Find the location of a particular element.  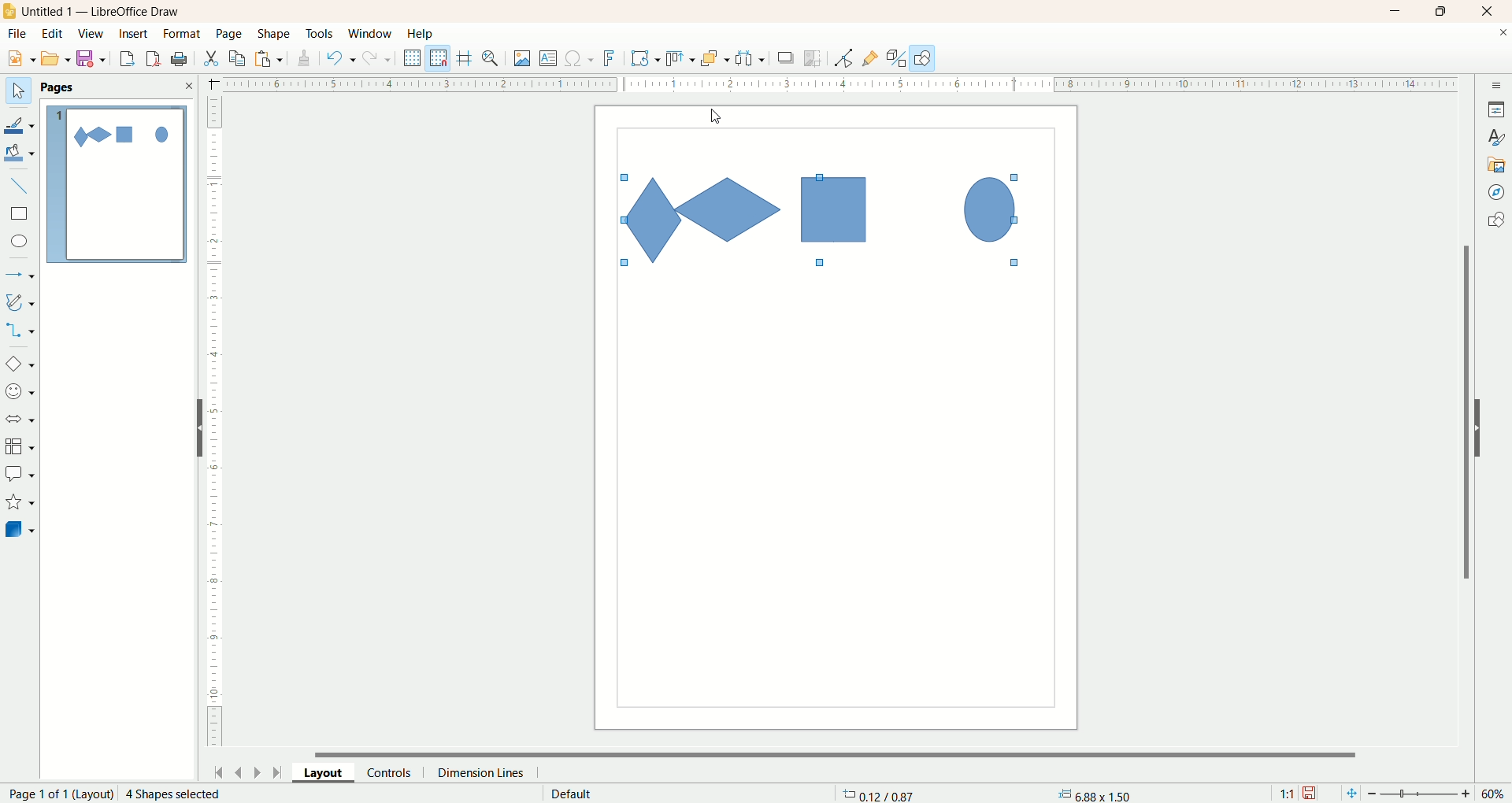

maximize is located at coordinates (1442, 11).